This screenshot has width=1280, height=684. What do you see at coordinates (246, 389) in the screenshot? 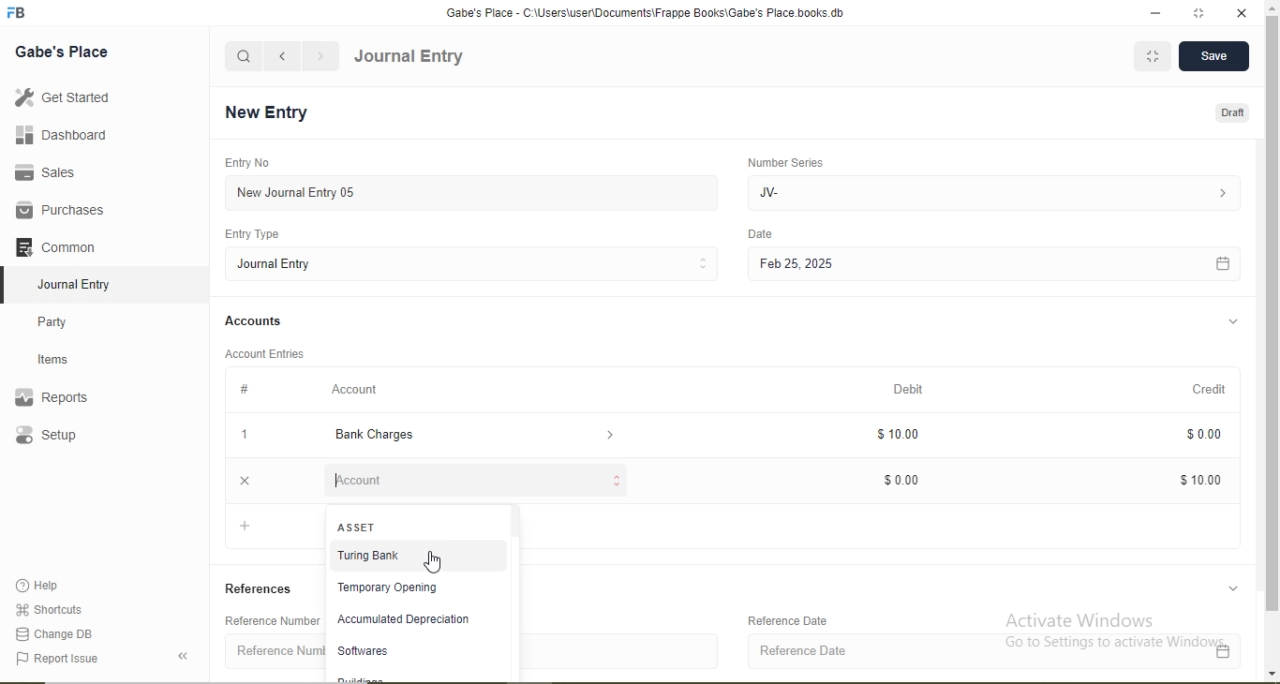
I see `#` at bounding box center [246, 389].